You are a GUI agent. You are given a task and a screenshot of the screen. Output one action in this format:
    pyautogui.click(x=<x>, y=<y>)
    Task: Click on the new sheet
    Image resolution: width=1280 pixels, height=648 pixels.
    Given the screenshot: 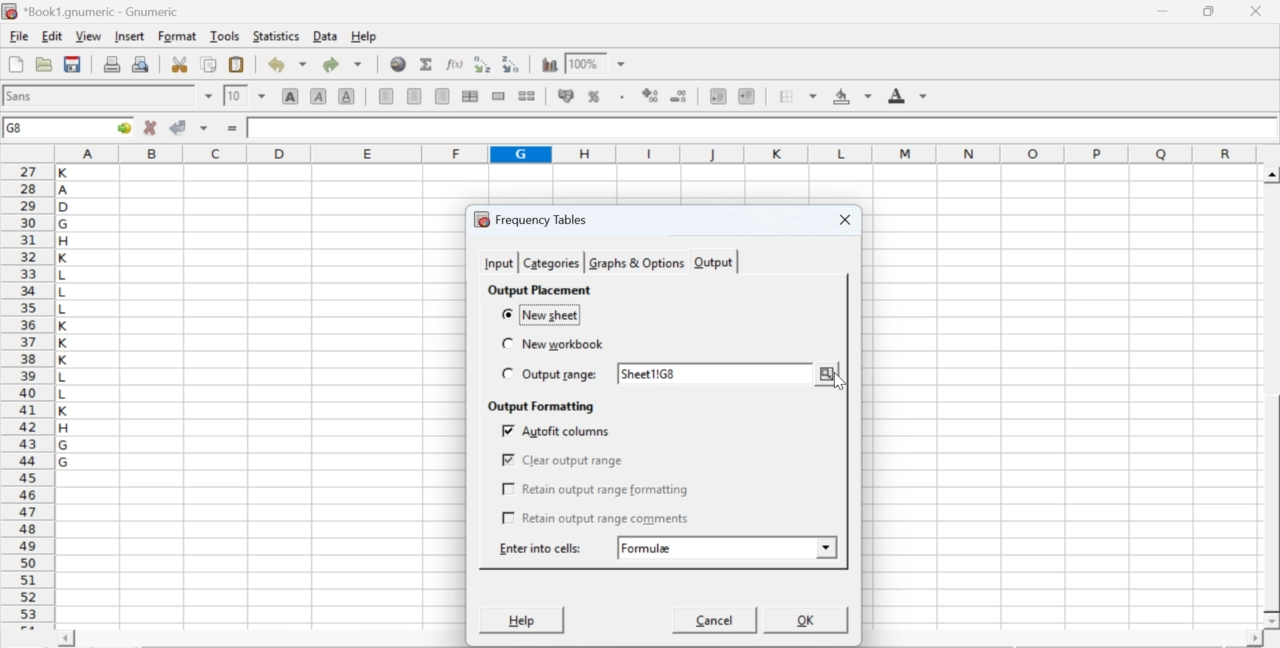 What is the action you would take?
    pyautogui.click(x=542, y=314)
    